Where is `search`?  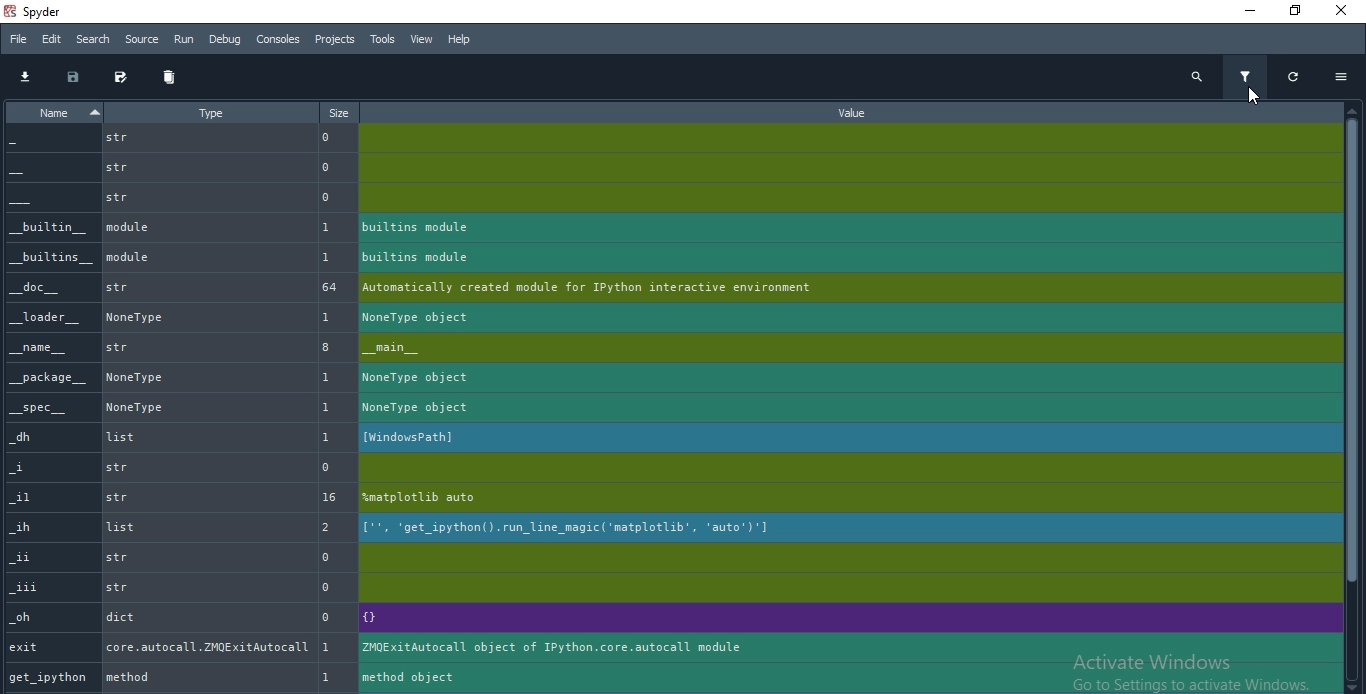
search is located at coordinates (1194, 74).